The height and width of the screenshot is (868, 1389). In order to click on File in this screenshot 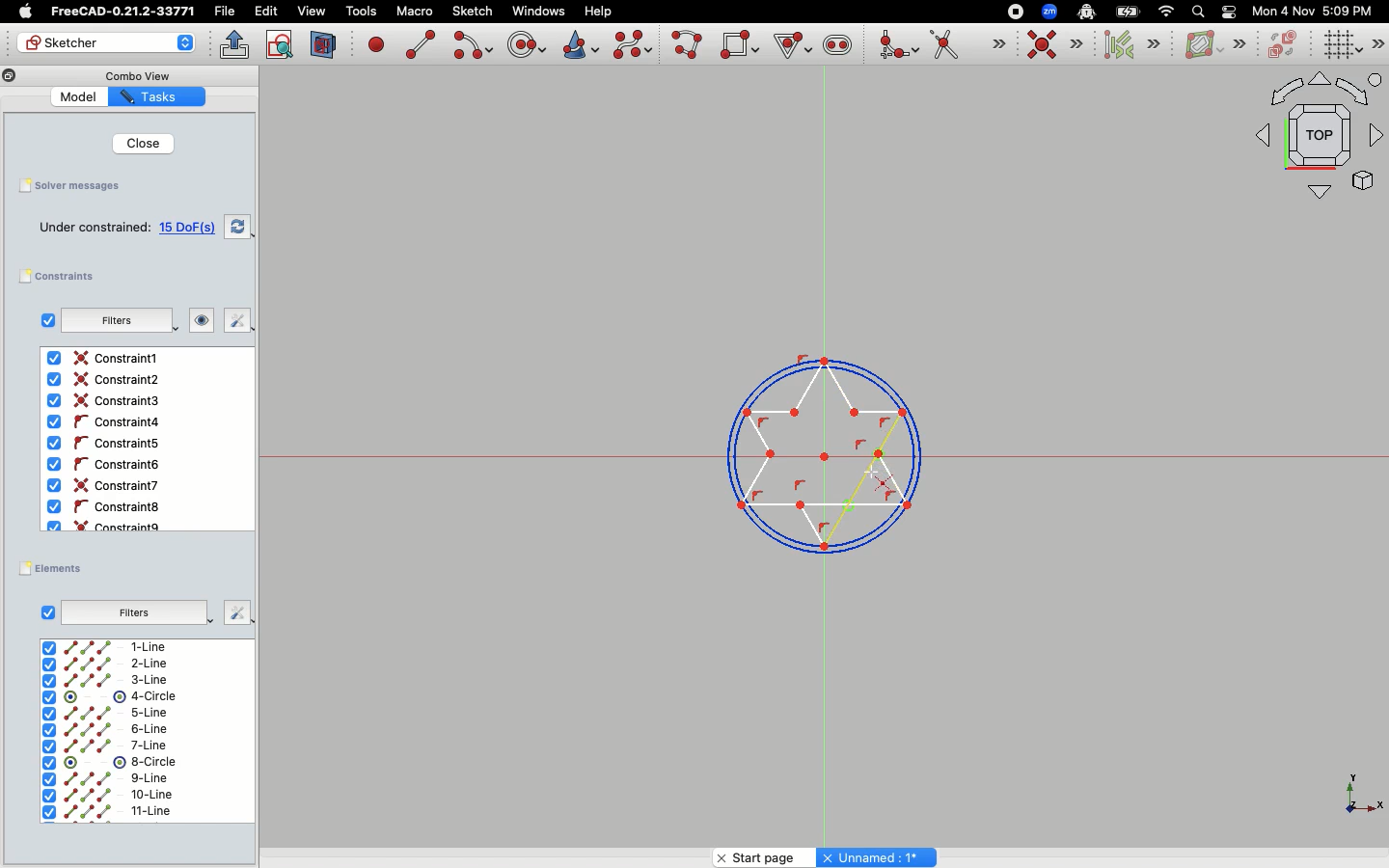, I will do `click(227, 12)`.